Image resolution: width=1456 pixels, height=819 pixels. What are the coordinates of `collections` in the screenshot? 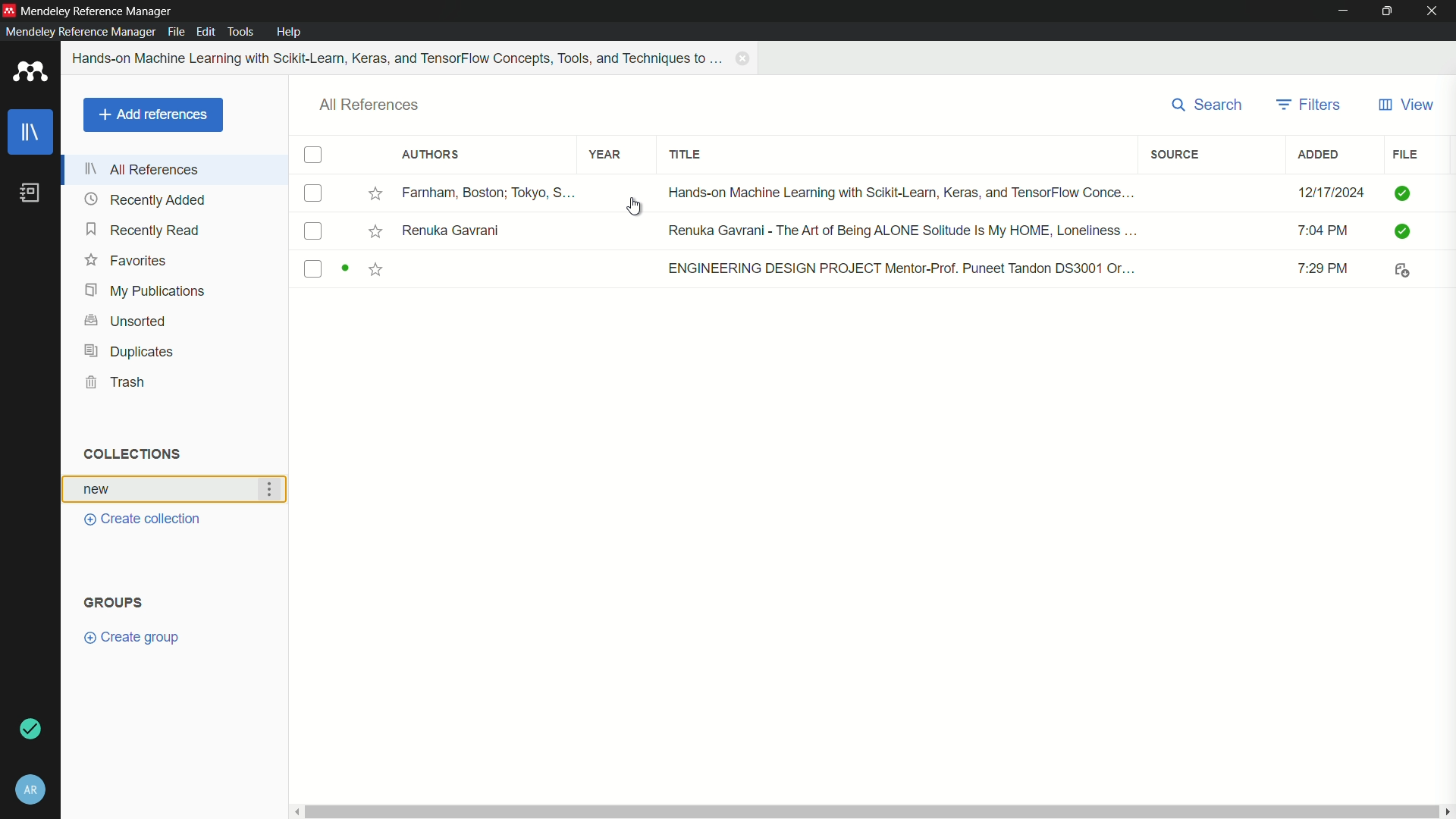 It's located at (130, 453).